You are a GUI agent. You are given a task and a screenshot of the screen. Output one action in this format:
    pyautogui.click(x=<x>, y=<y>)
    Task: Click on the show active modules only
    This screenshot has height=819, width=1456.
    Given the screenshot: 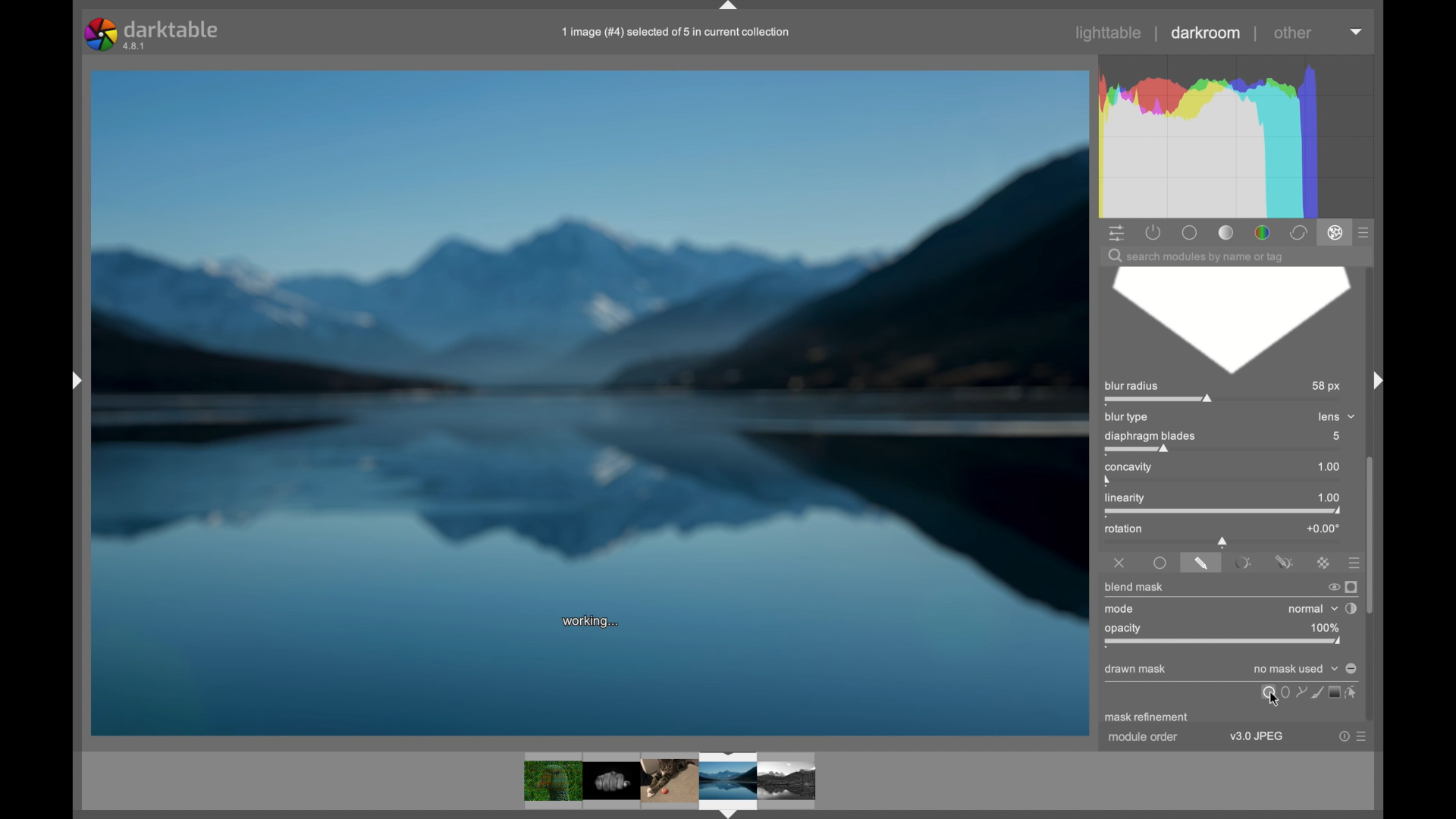 What is the action you would take?
    pyautogui.click(x=1153, y=232)
    